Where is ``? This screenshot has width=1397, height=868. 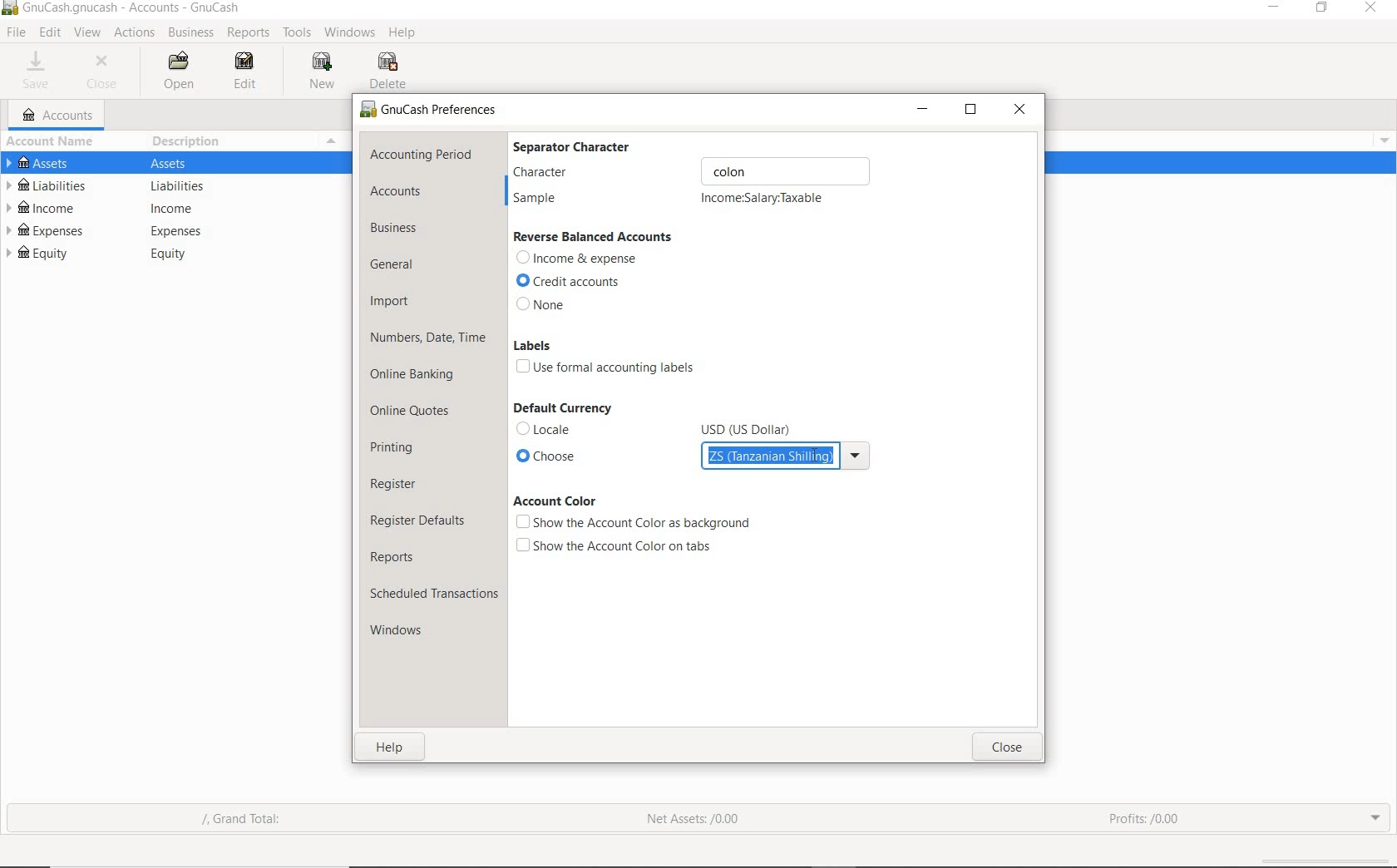  is located at coordinates (447, 110).